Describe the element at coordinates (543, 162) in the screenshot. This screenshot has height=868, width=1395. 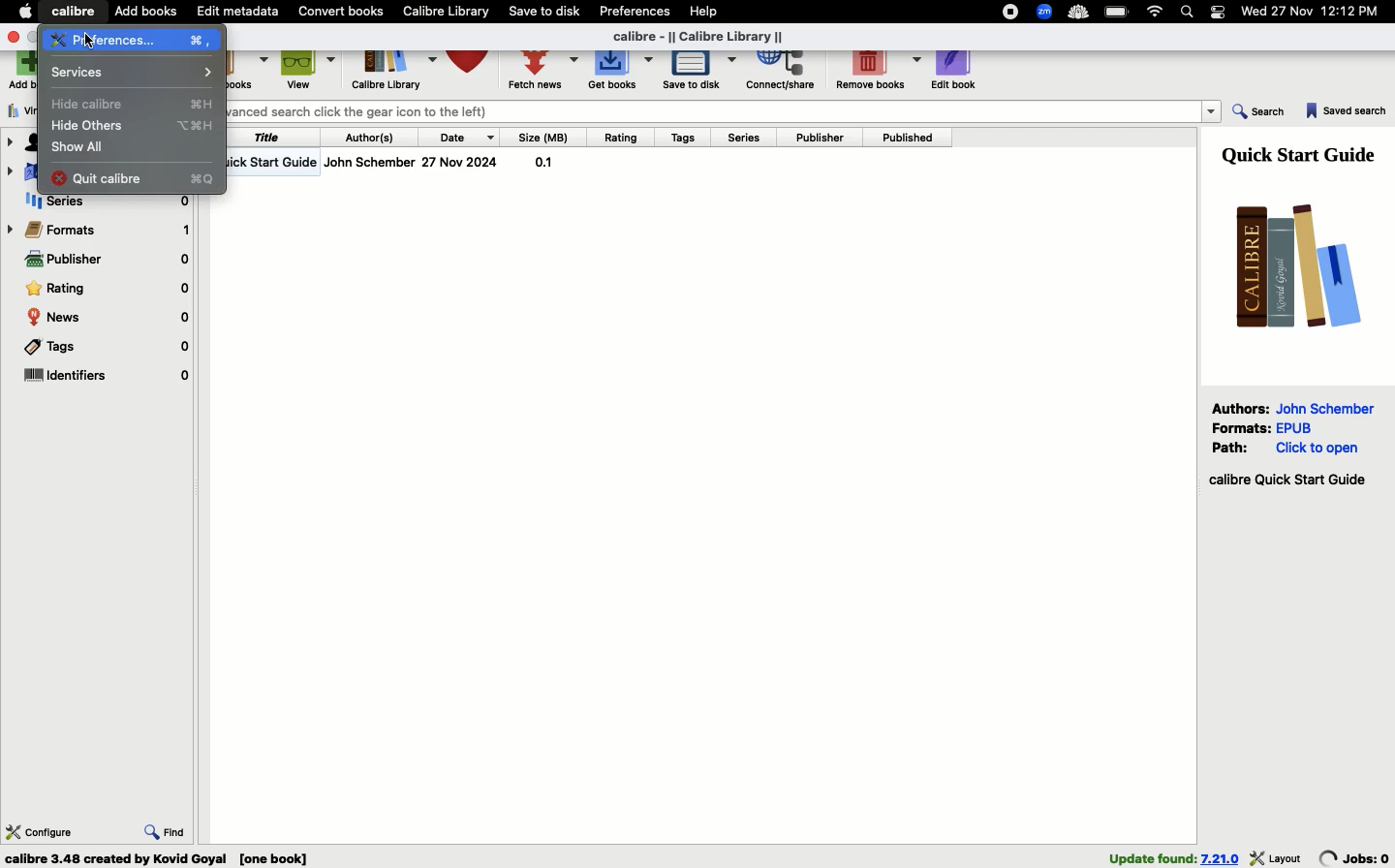
I see `size` at that location.